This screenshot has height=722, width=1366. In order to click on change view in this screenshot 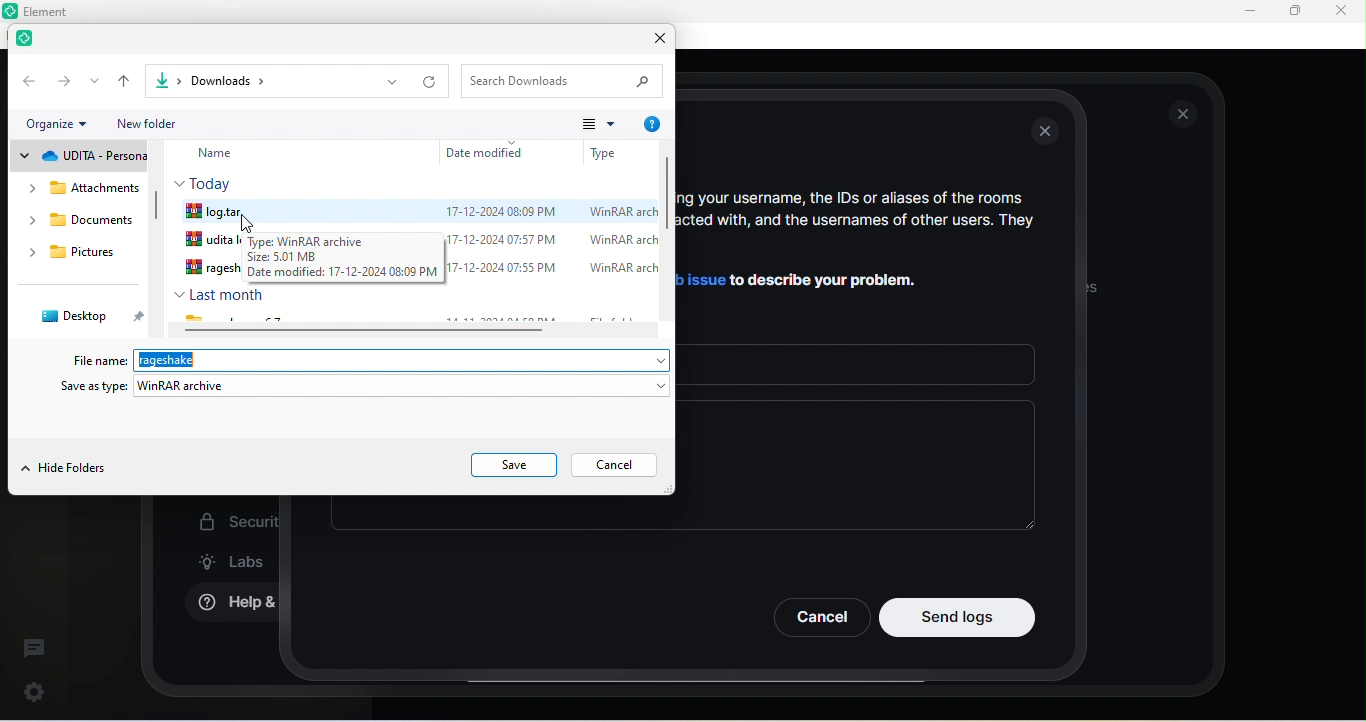, I will do `click(598, 123)`.